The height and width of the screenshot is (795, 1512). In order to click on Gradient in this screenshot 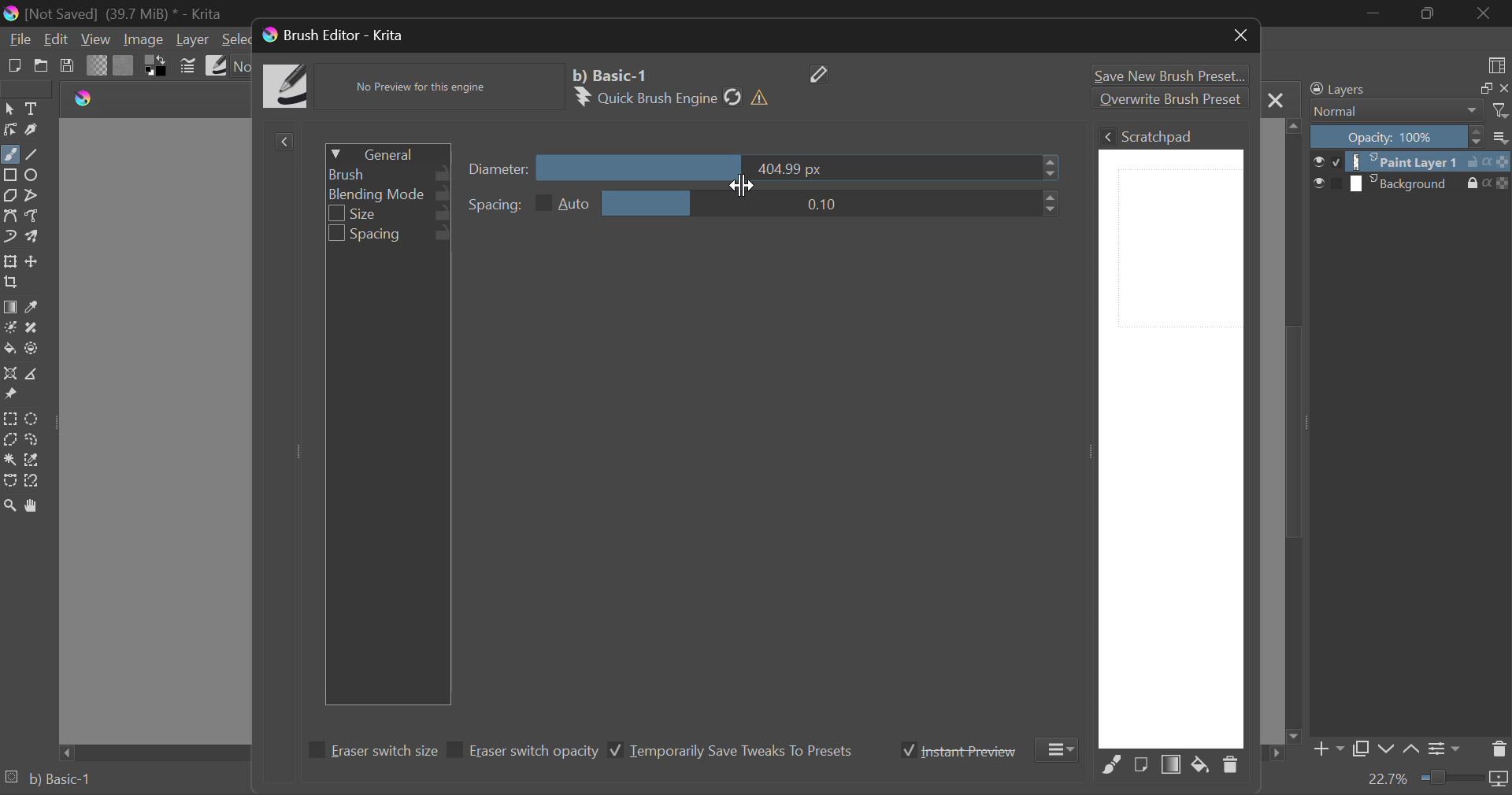, I will do `click(98, 65)`.